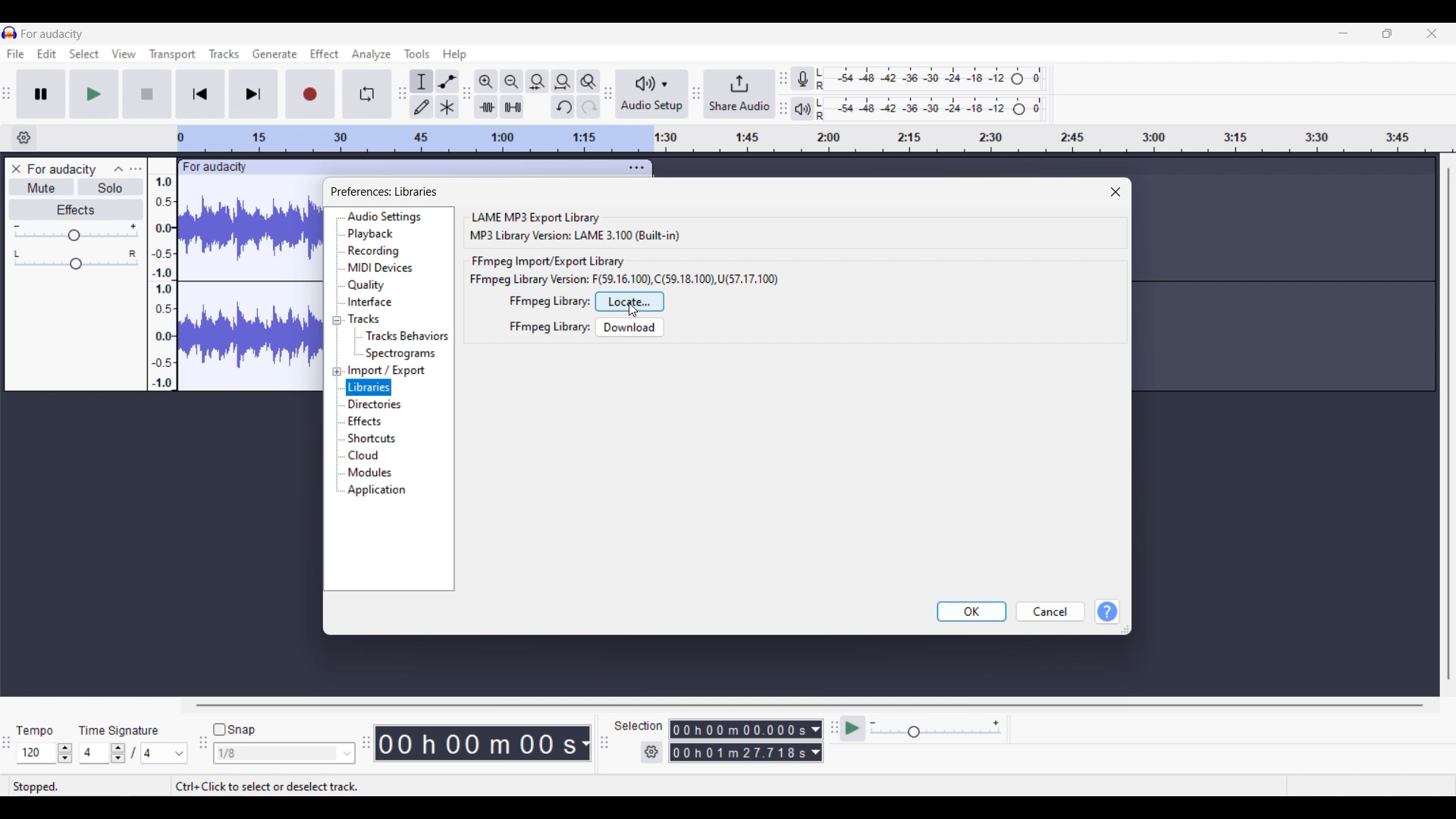 This screenshot has height=819, width=1456. What do you see at coordinates (632, 311) in the screenshot?
I see `cursor` at bounding box center [632, 311].